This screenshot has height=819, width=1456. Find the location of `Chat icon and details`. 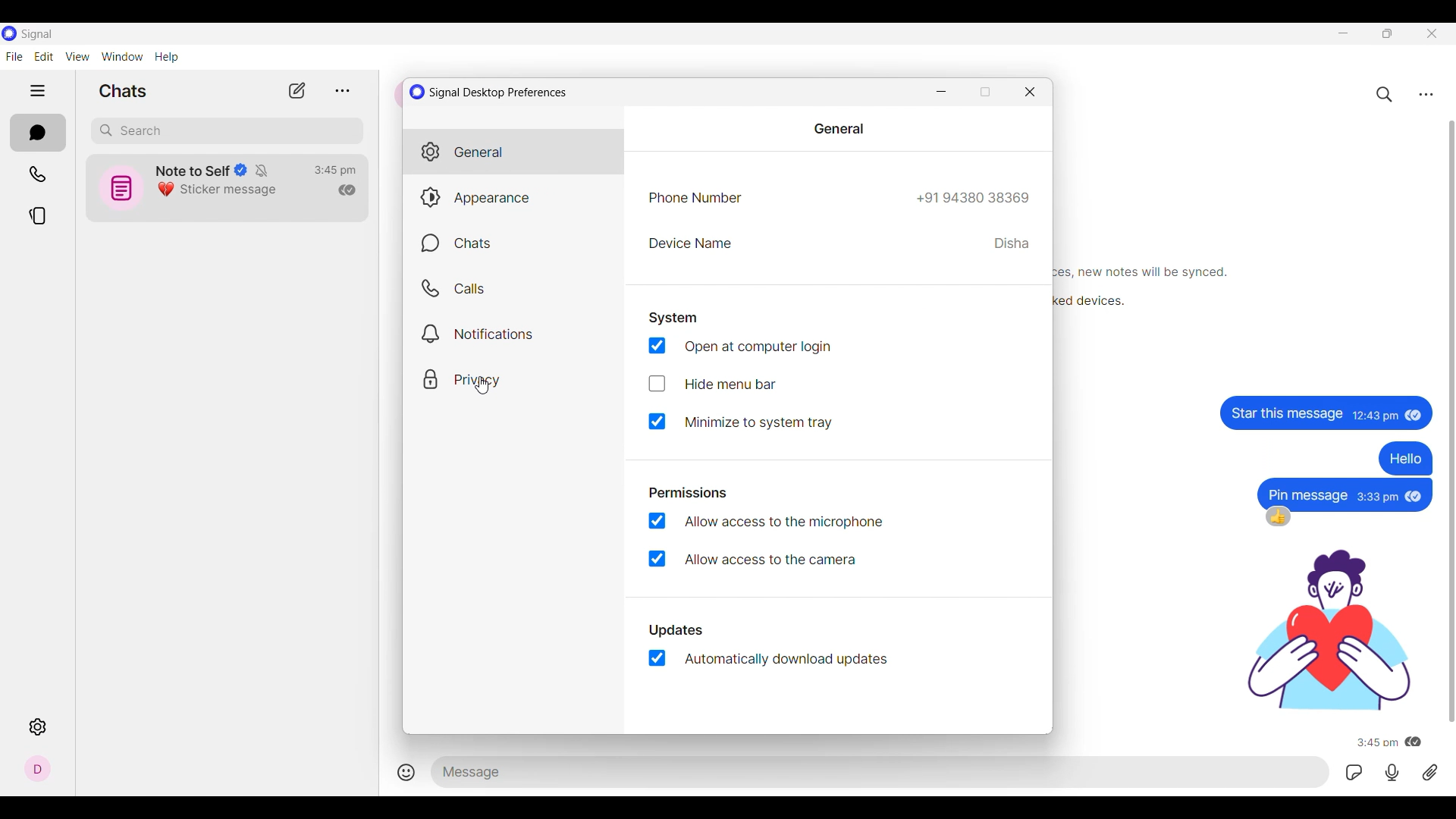

Chat icon and details is located at coordinates (187, 186).